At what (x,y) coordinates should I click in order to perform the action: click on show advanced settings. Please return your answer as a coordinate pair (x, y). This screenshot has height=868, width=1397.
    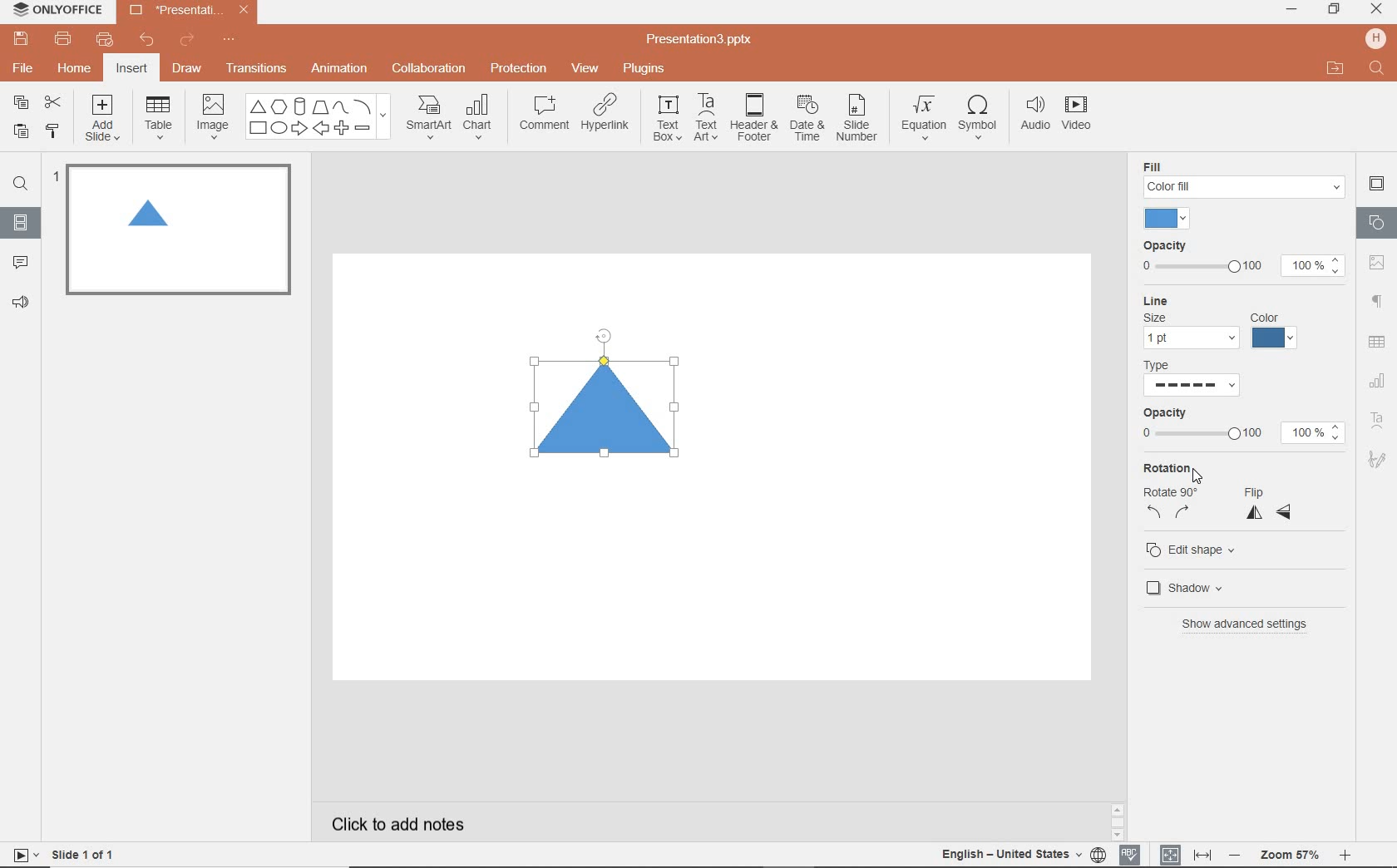
    Looking at the image, I should click on (1251, 624).